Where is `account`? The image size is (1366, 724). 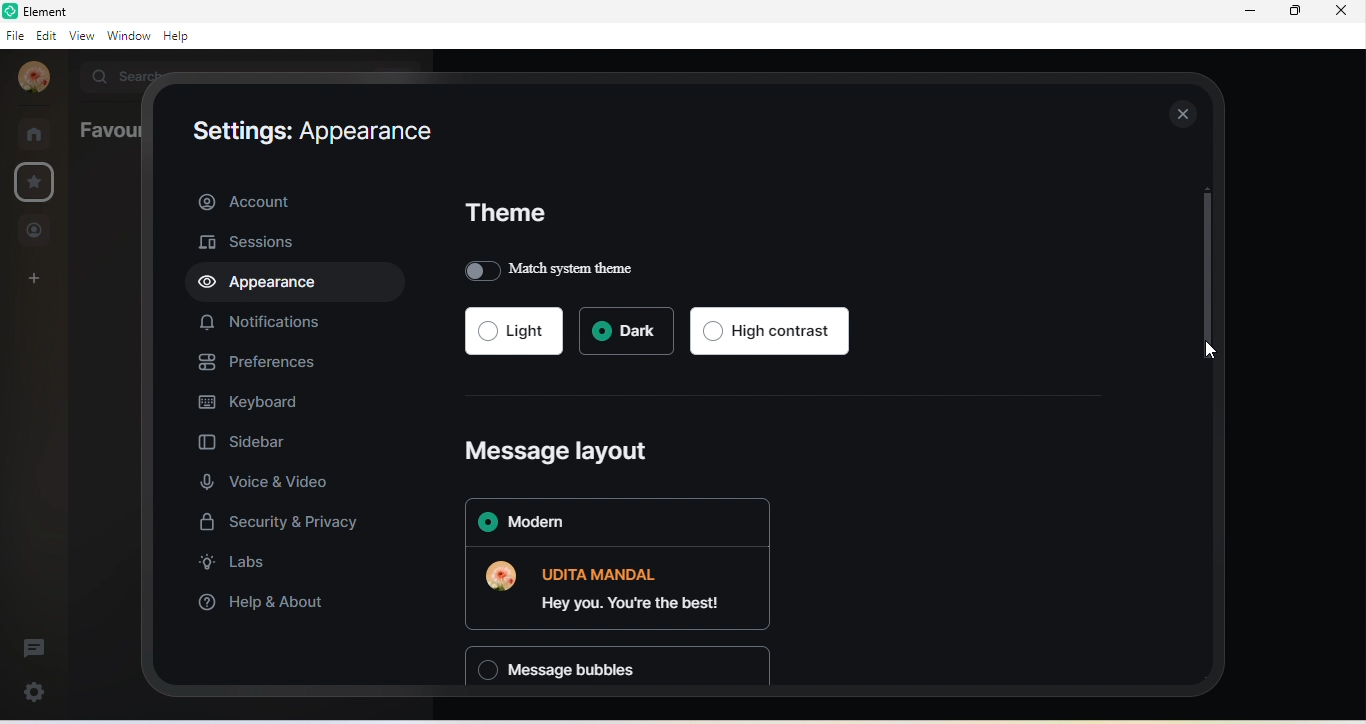
account is located at coordinates (294, 199).